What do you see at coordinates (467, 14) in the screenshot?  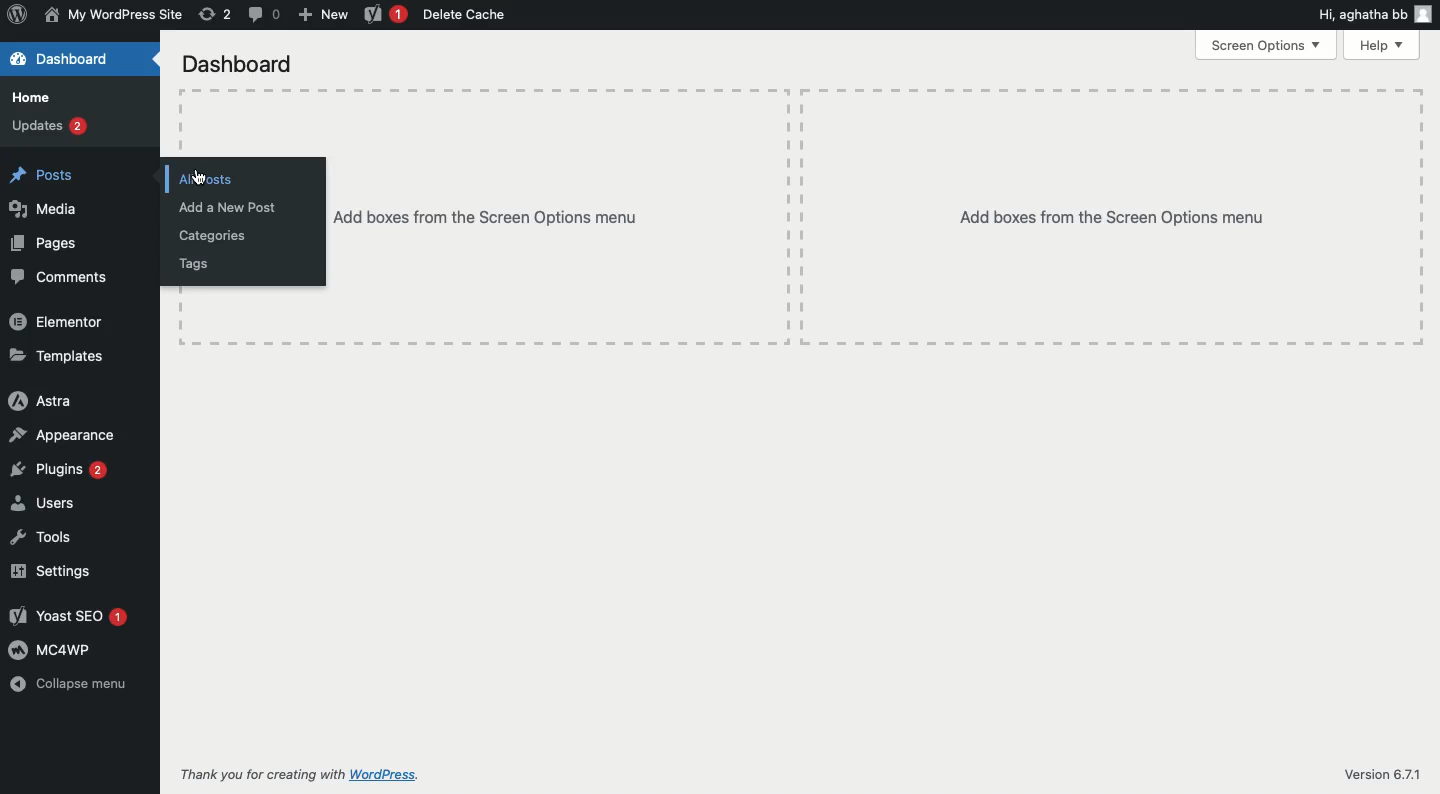 I see `Delete cache` at bounding box center [467, 14].